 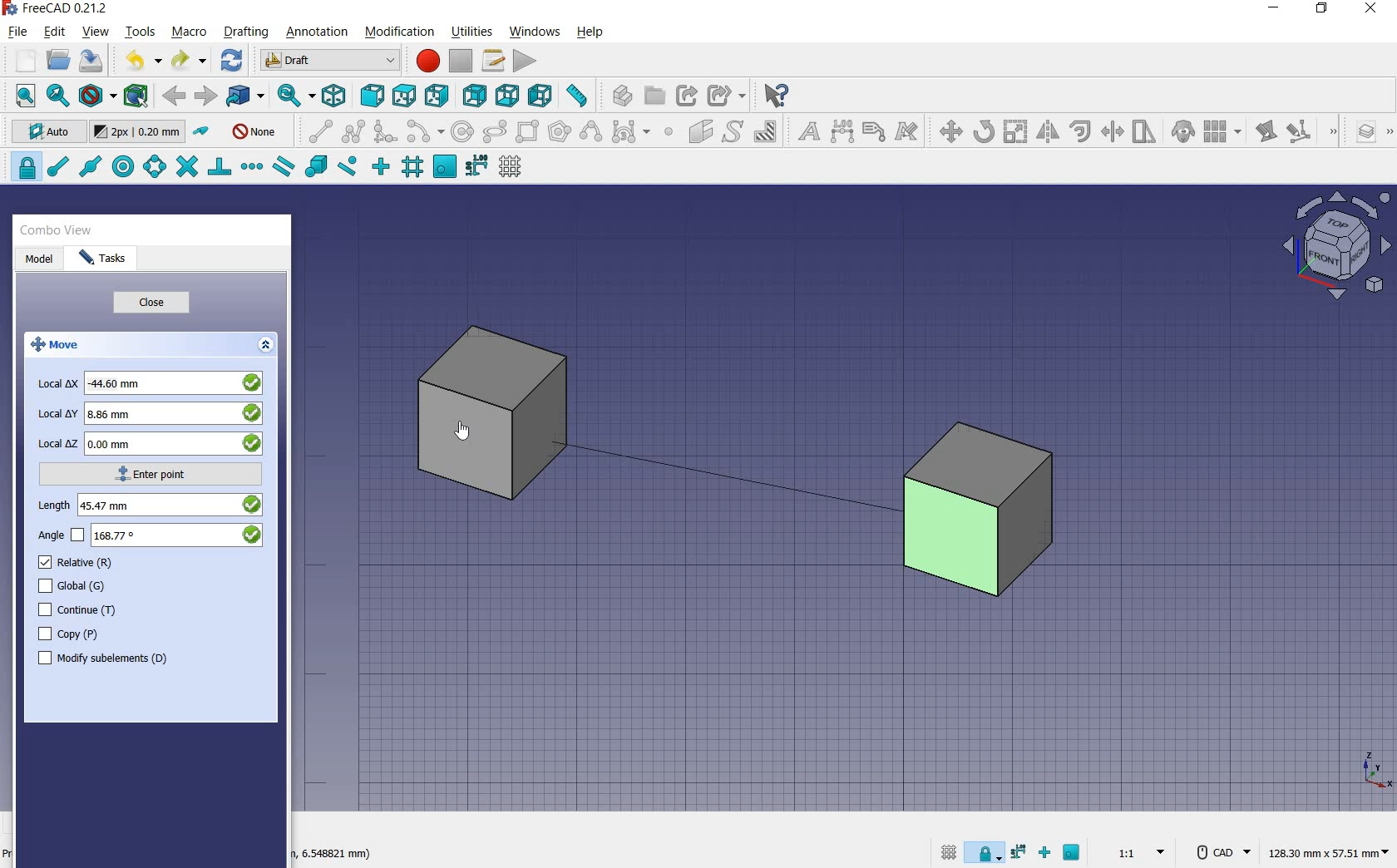 I want to click on snap center, so click(x=125, y=166).